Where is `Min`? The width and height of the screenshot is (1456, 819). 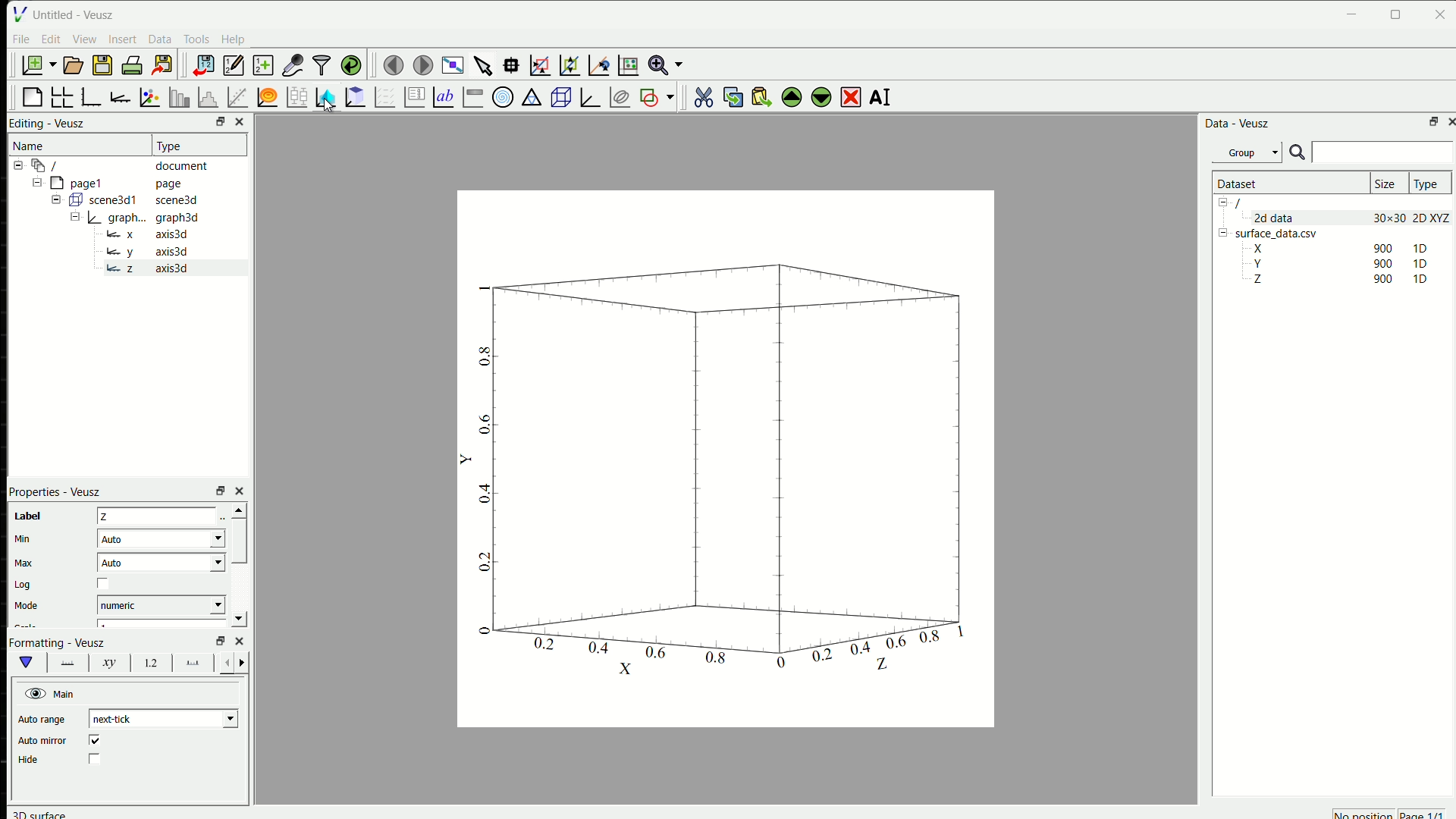 Min is located at coordinates (23, 538).